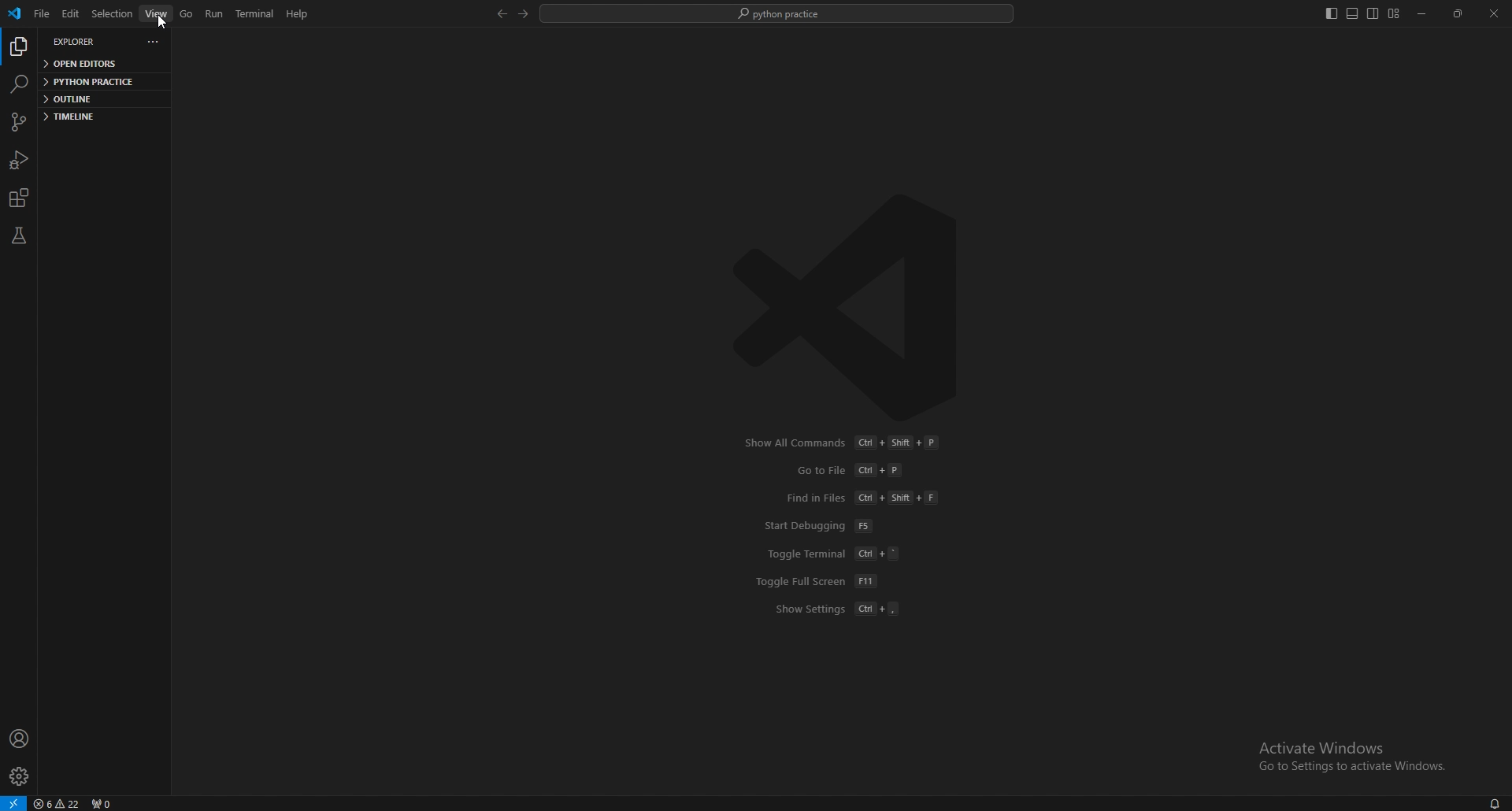  Describe the element at coordinates (1492, 13) in the screenshot. I see `close` at that location.